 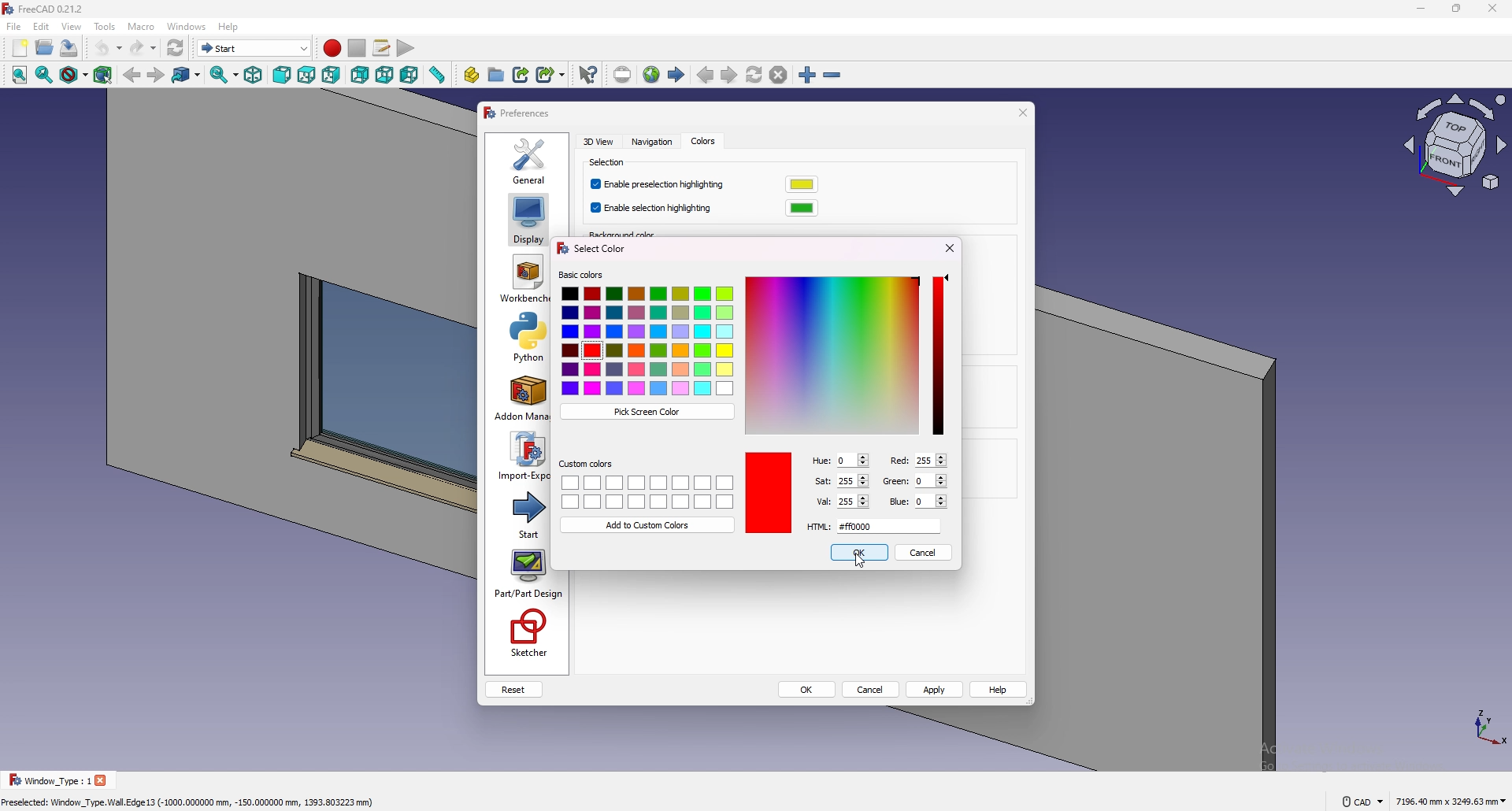 What do you see at coordinates (19, 48) in the screenshot?
I see `new` at bounding box center [19, 48].